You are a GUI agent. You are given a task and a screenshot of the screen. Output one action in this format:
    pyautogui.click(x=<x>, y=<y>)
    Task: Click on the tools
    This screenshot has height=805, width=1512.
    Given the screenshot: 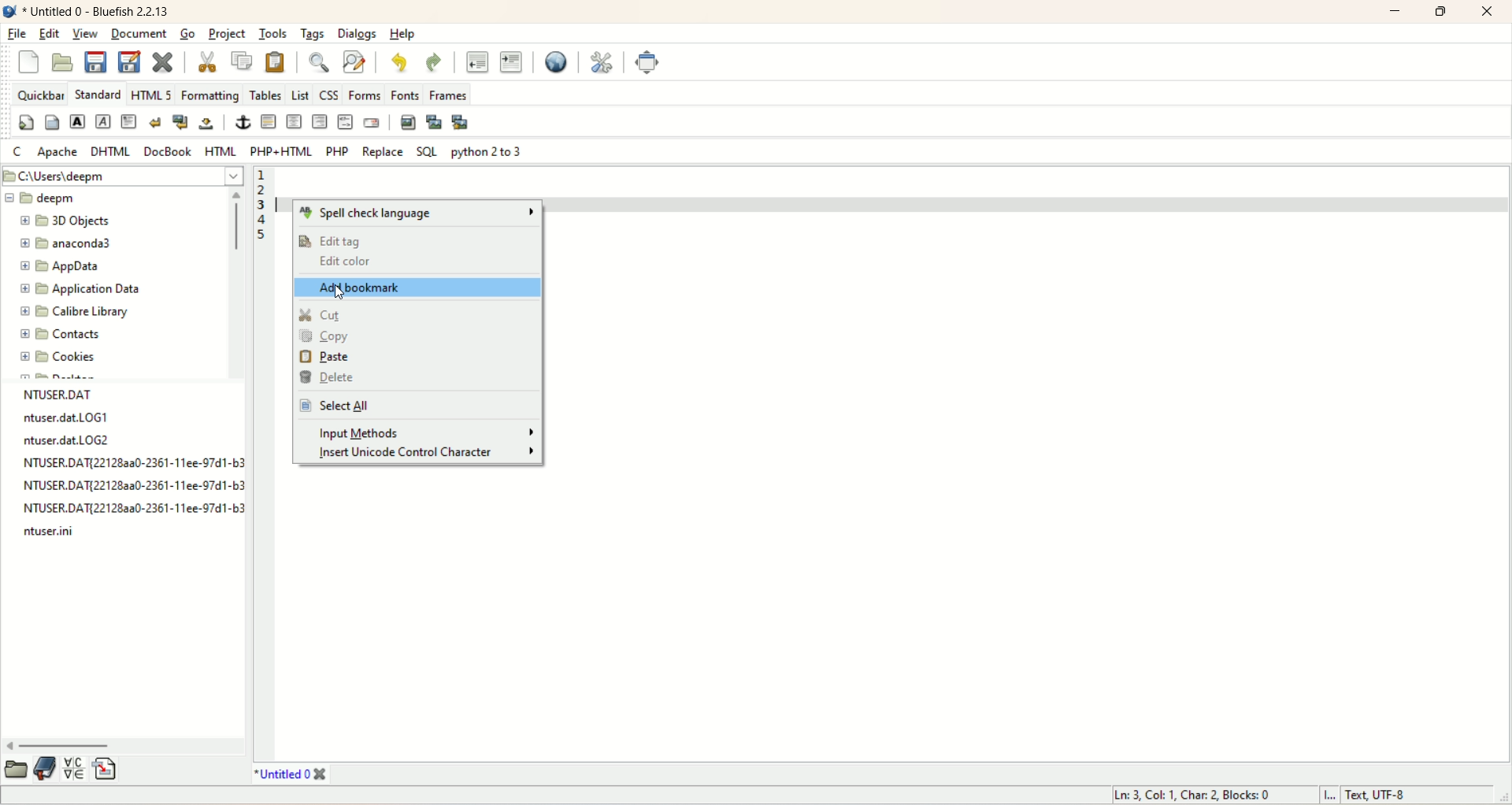 What is the action you would take?
    pyautogui.click(x=276, y=34)
    